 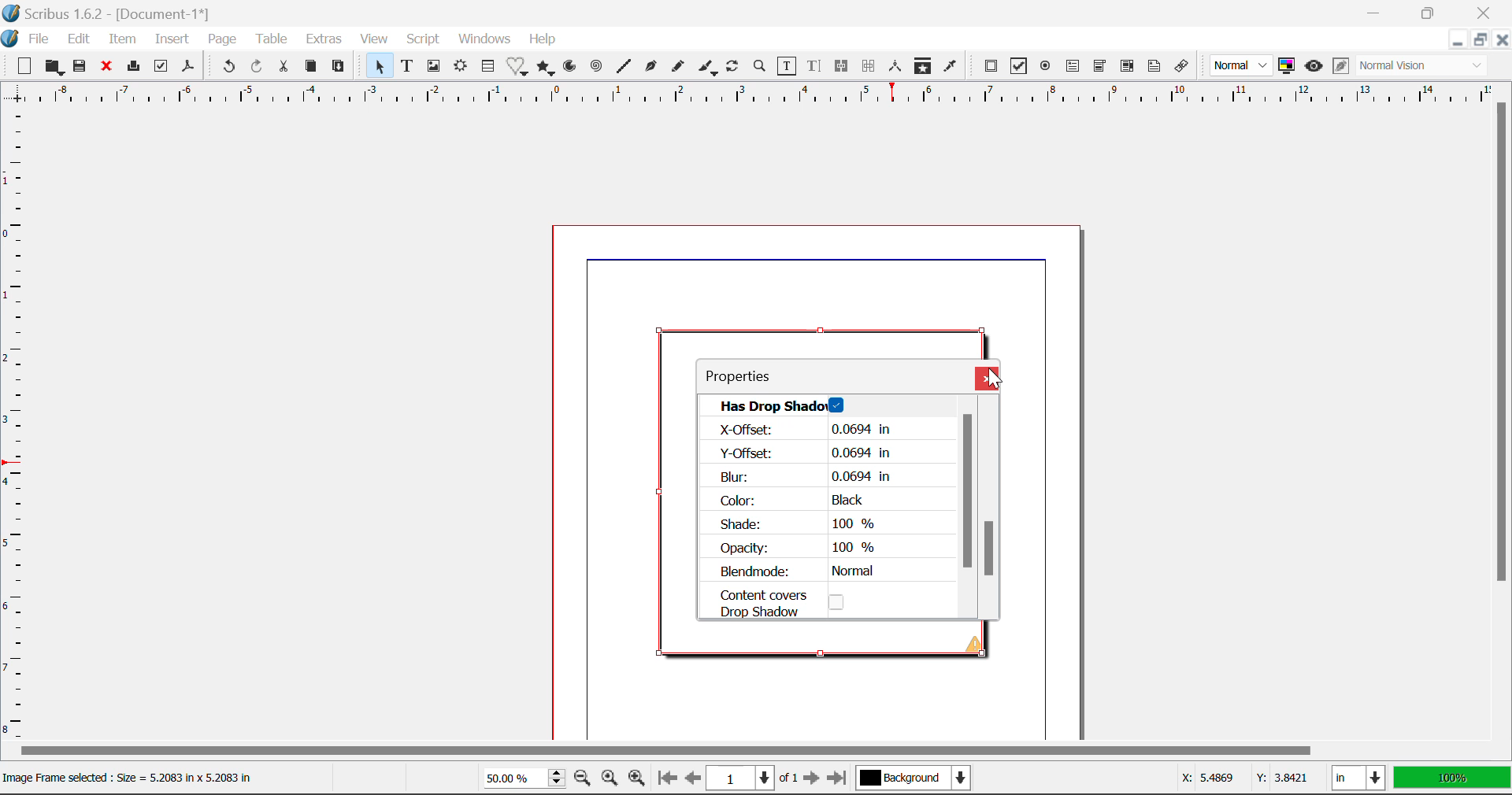 What do you see at coordinates (1074, 68) in the screenshot?
I see `Pdf Text Field` at bounding box center [1074, 68].